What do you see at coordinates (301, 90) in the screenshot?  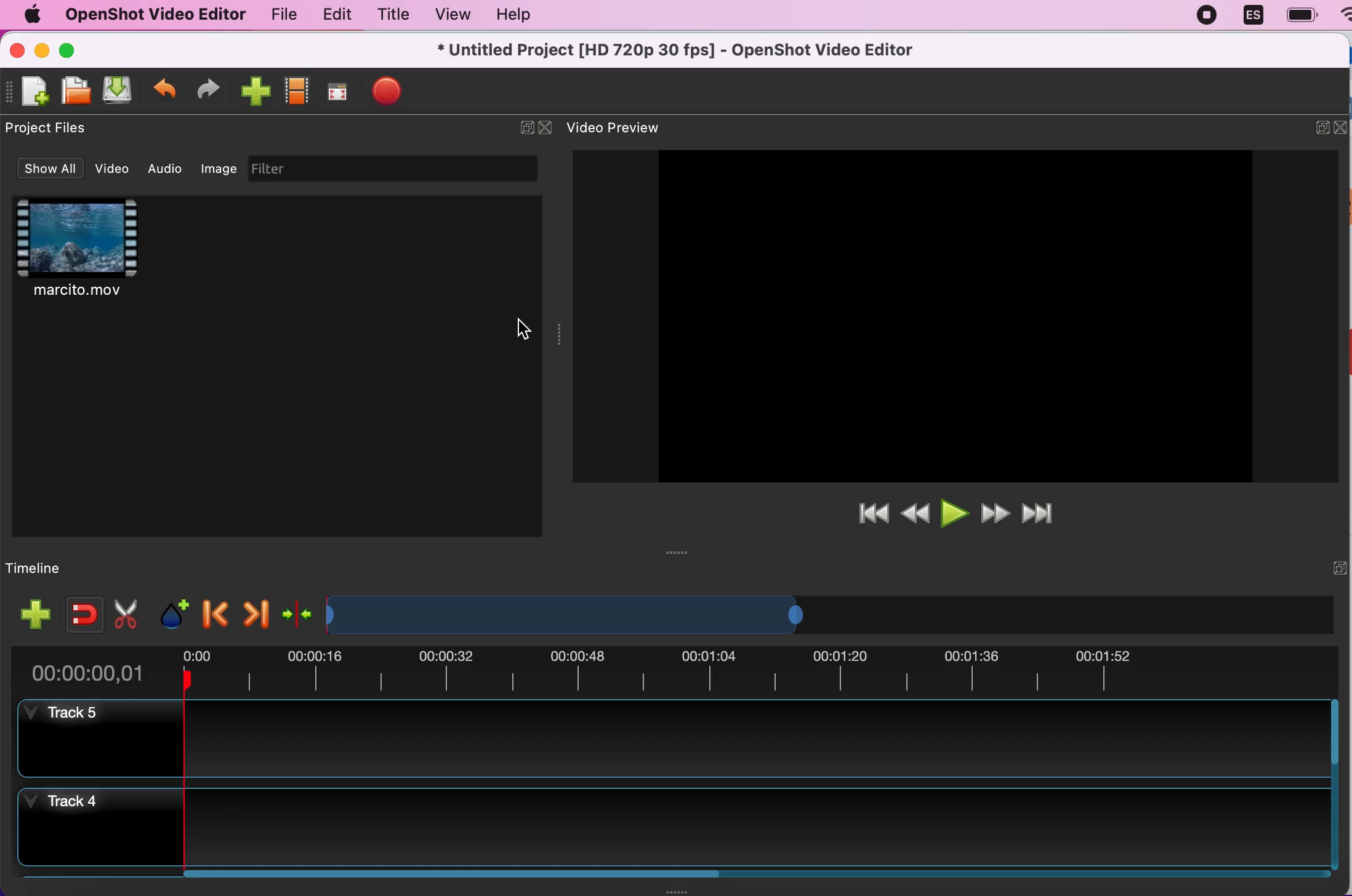 I see `choose profile` at bounding box center [301, 90].